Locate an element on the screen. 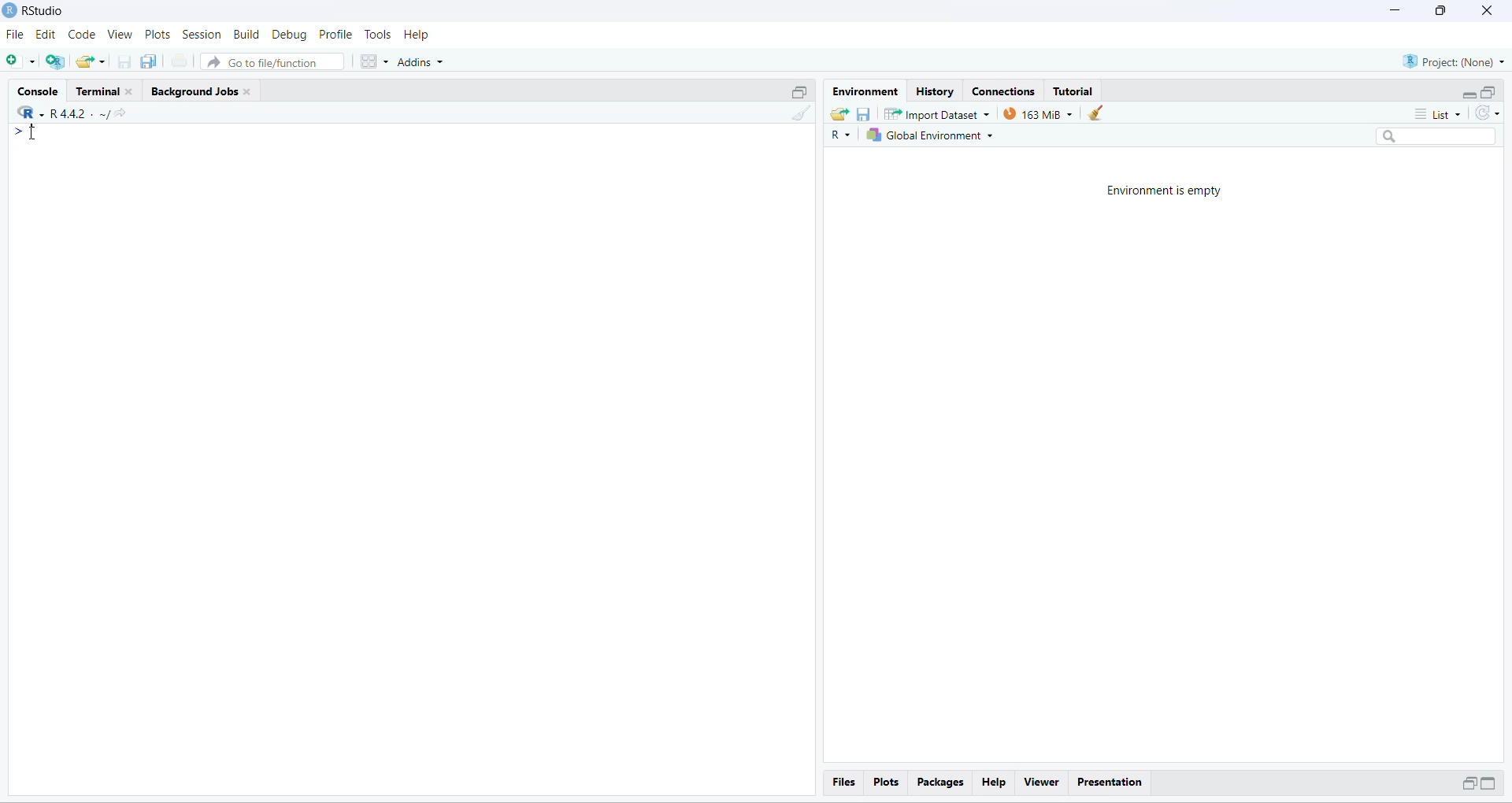  Session is located at coordinates (202, 35).